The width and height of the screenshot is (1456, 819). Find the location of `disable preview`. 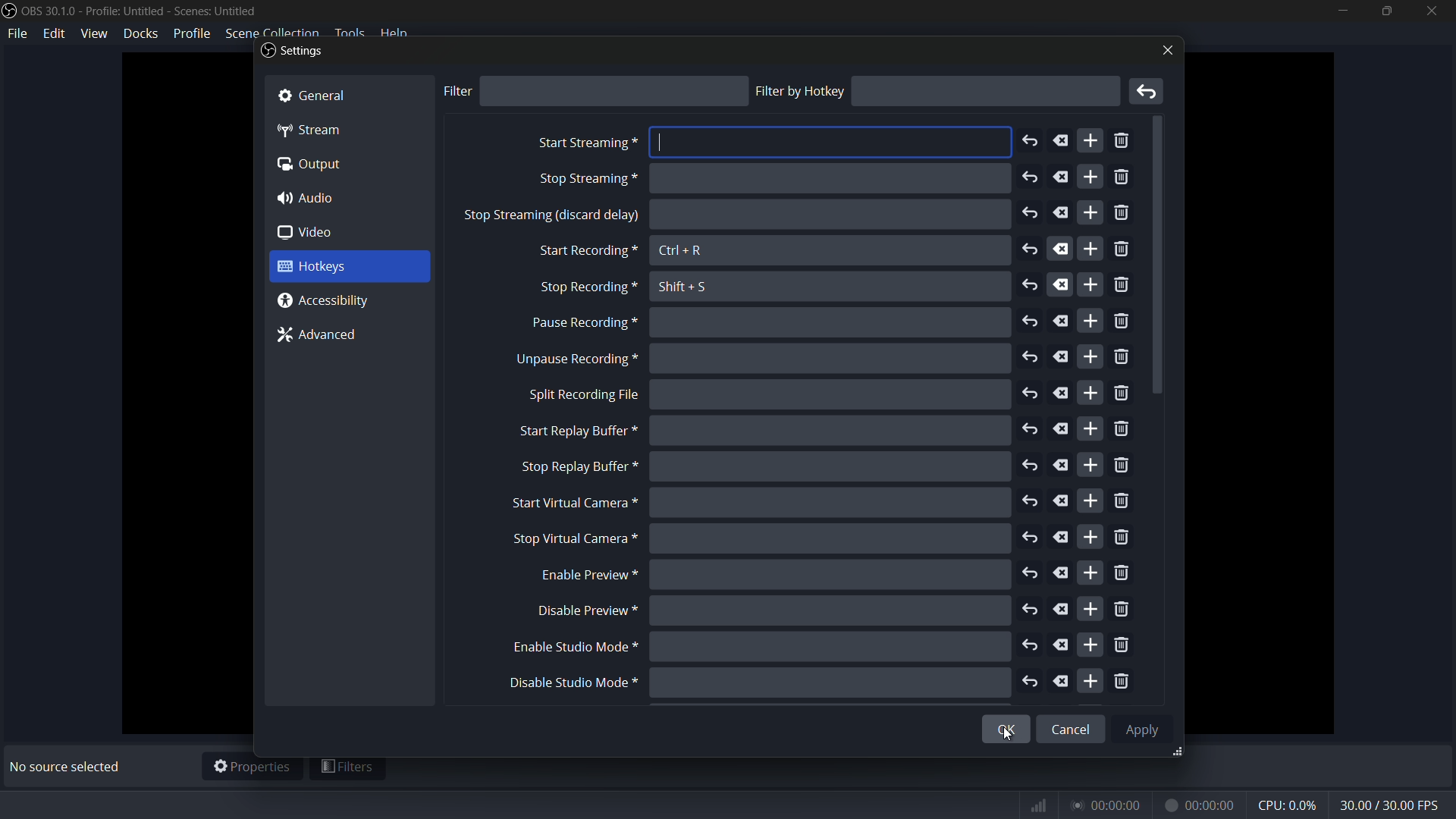

disable preview is located at coordinates (588, 610).